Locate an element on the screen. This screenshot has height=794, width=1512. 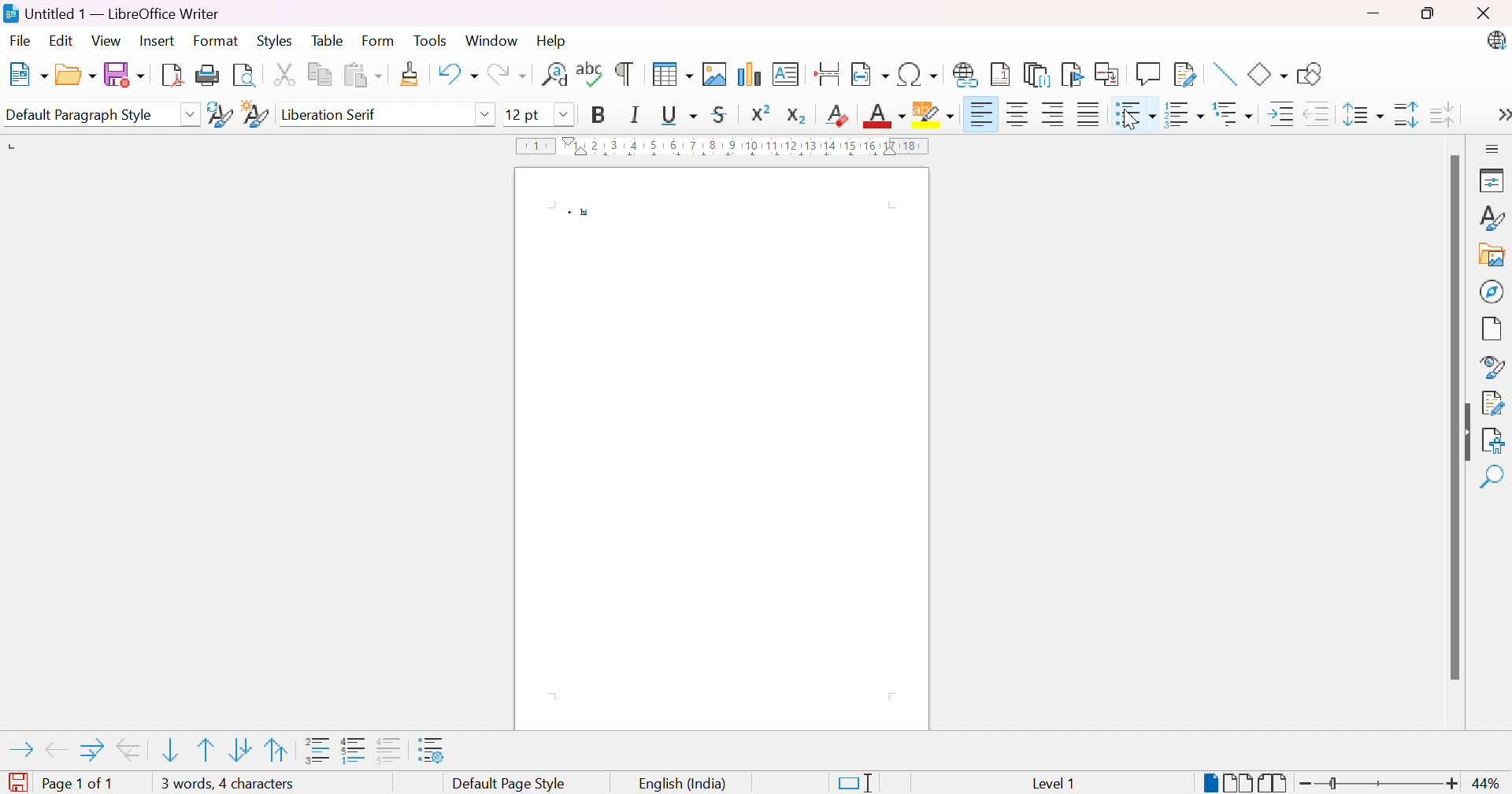
"Add to list" adds selected paragraphs to immediately preceding list is located at coordinates (388, 749).